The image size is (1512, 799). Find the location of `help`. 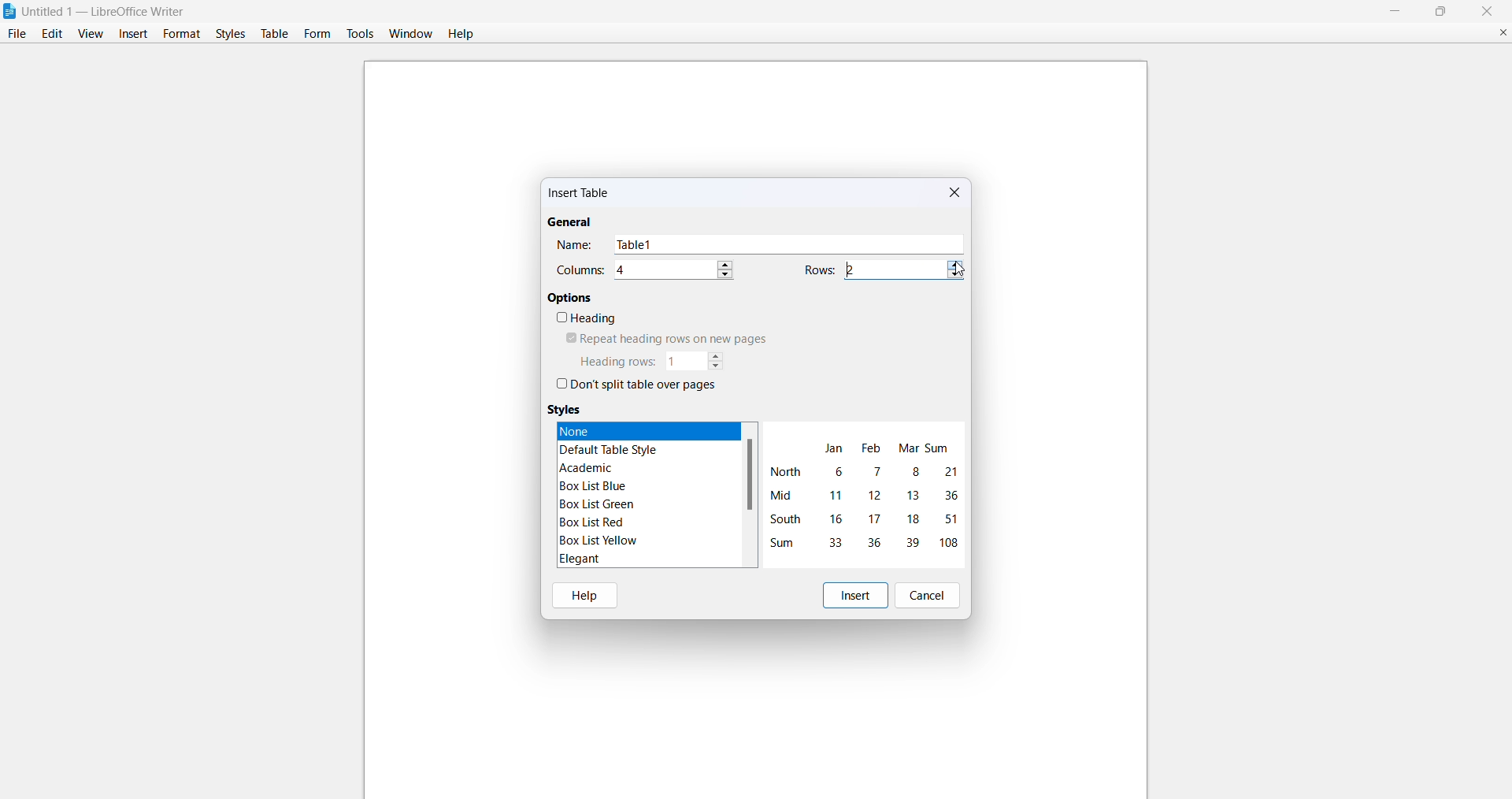

help is located at coordinates (587, 593).